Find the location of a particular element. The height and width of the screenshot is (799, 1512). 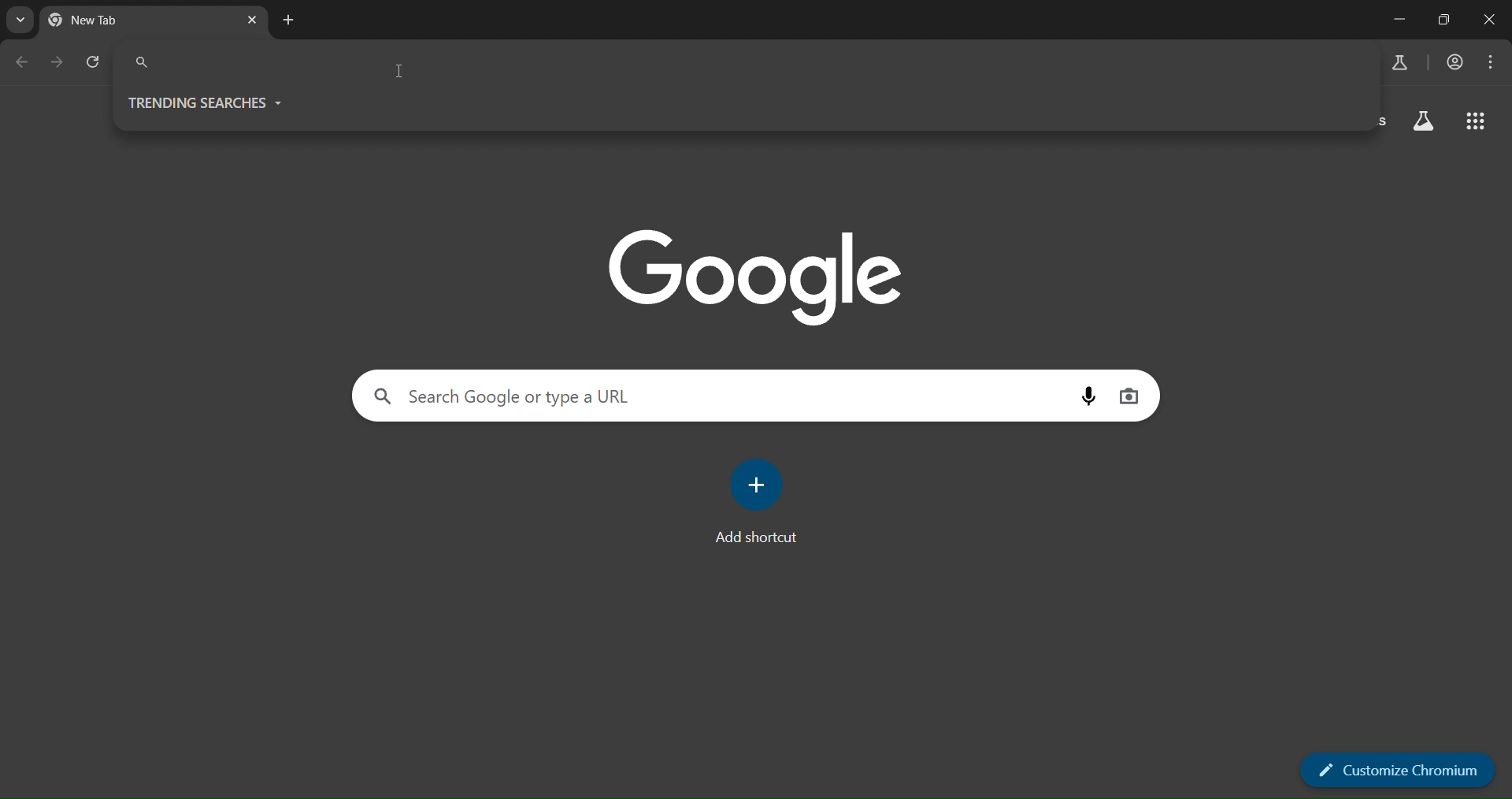

new tab is located at coordinates (291, 21).